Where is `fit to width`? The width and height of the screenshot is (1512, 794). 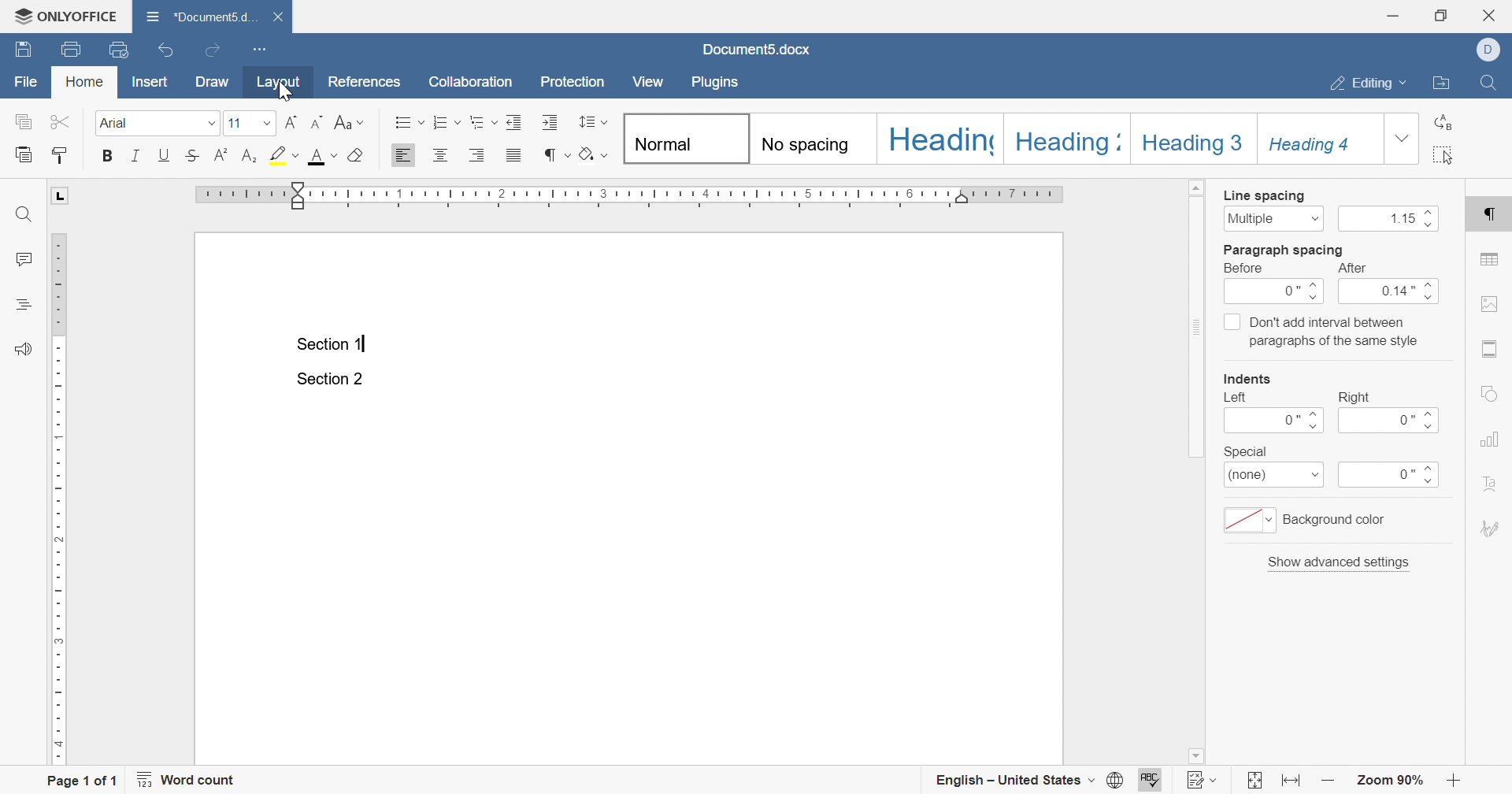
fit to width is located at coordinates (1293, 783).